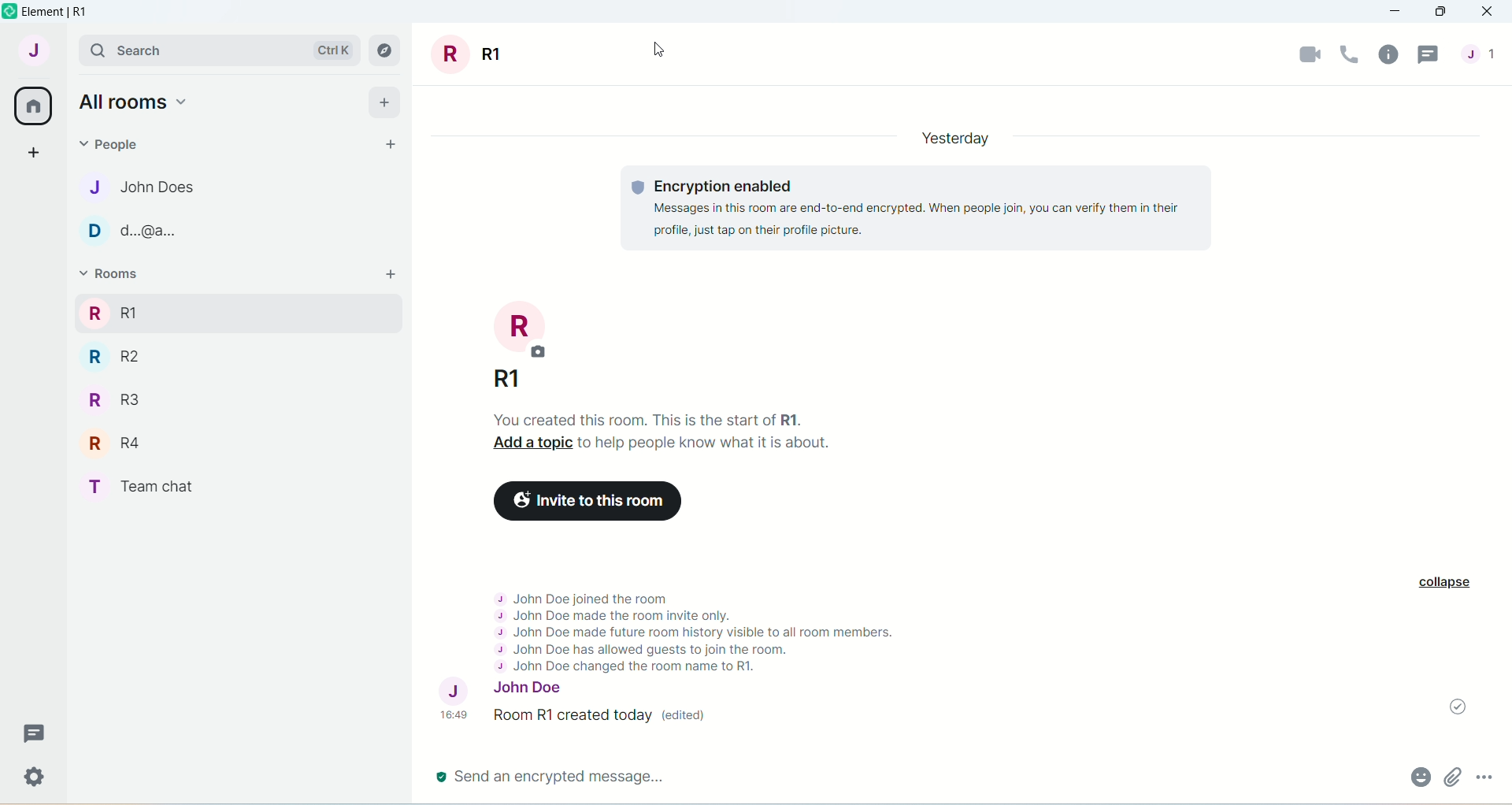 The height and width of the screenshot is (805, 1512). I want to click on Yesterday, so click(963, 137).